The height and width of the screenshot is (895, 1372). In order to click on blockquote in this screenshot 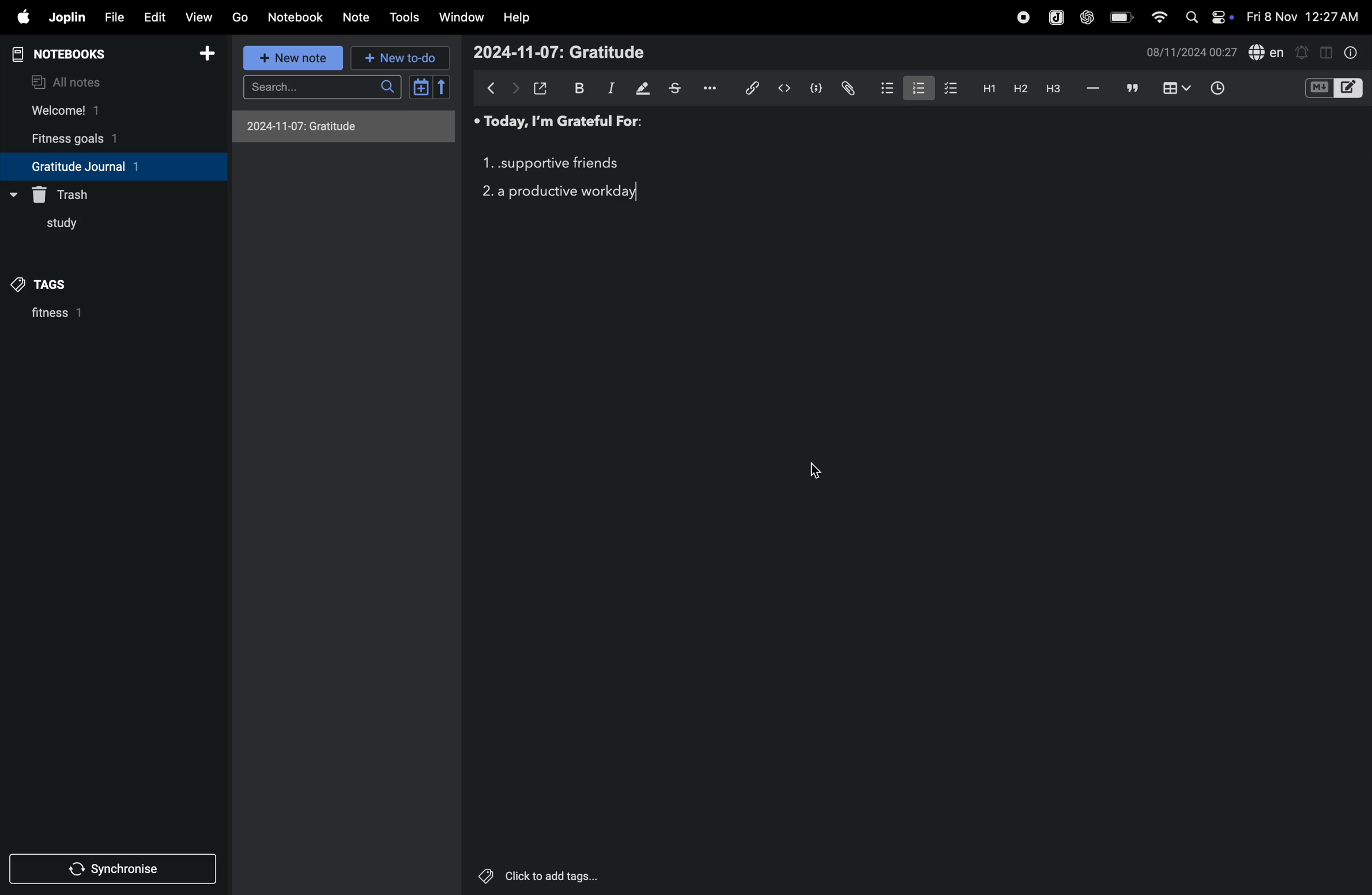, I will do `click(1133, 88)`.